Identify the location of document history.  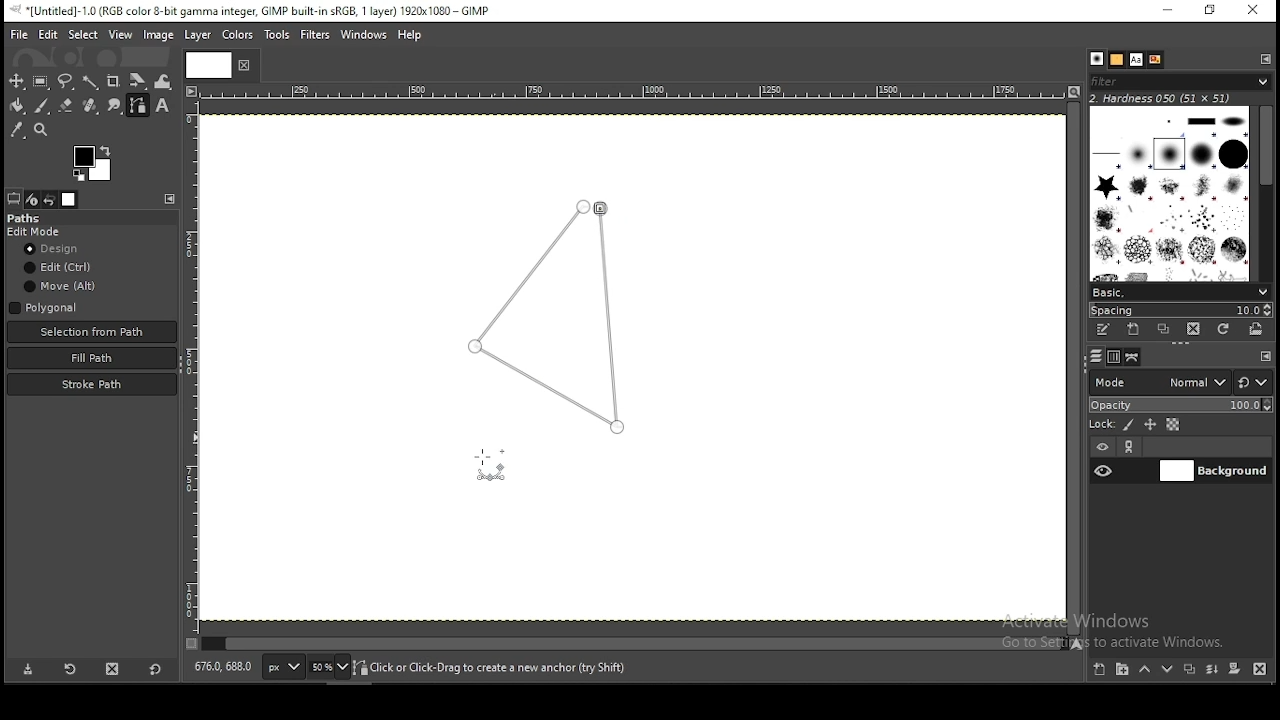
(1154, 59).